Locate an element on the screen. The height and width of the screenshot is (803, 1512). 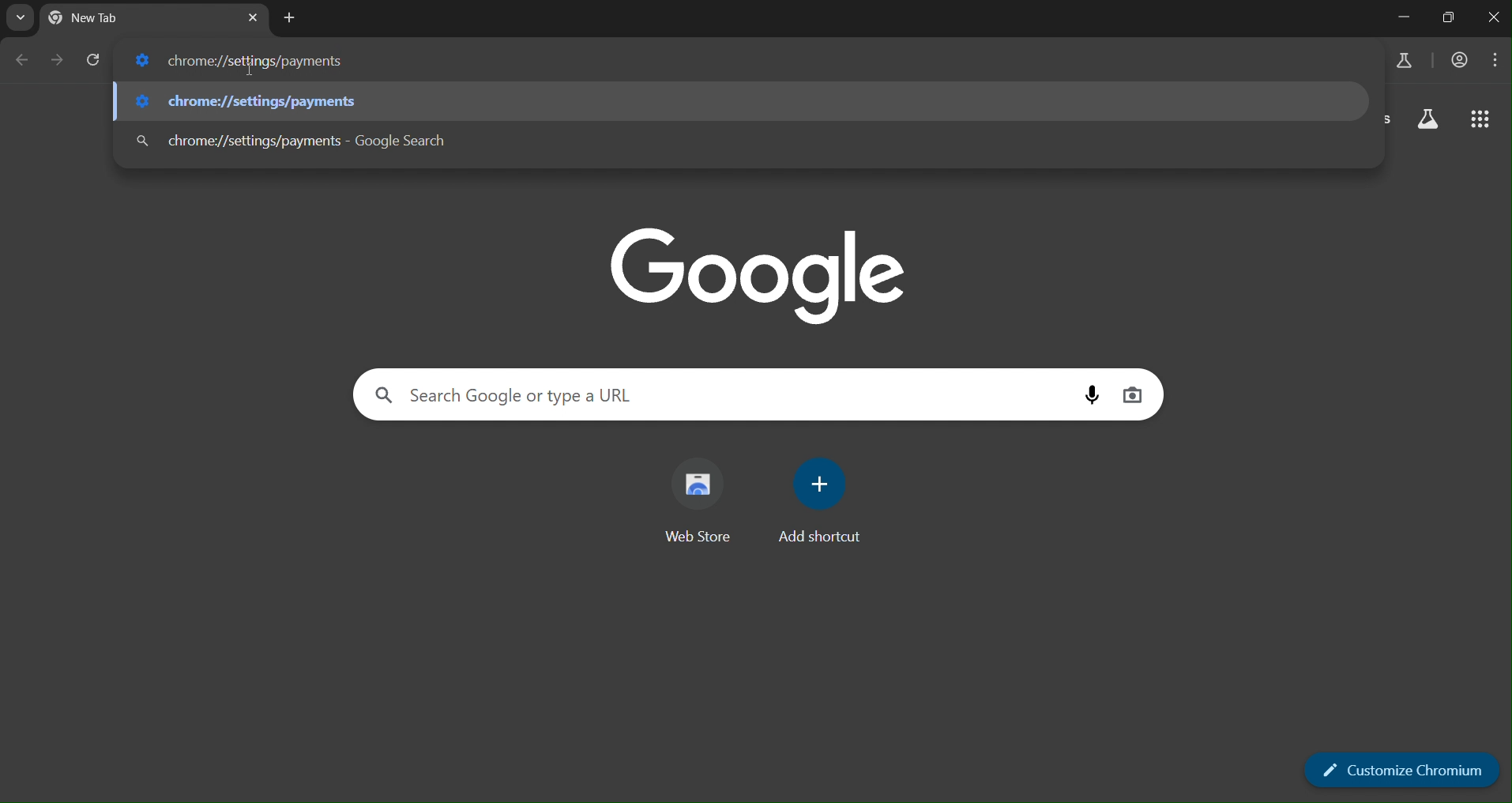
customize chromium is located at coordinates (1397, 770).